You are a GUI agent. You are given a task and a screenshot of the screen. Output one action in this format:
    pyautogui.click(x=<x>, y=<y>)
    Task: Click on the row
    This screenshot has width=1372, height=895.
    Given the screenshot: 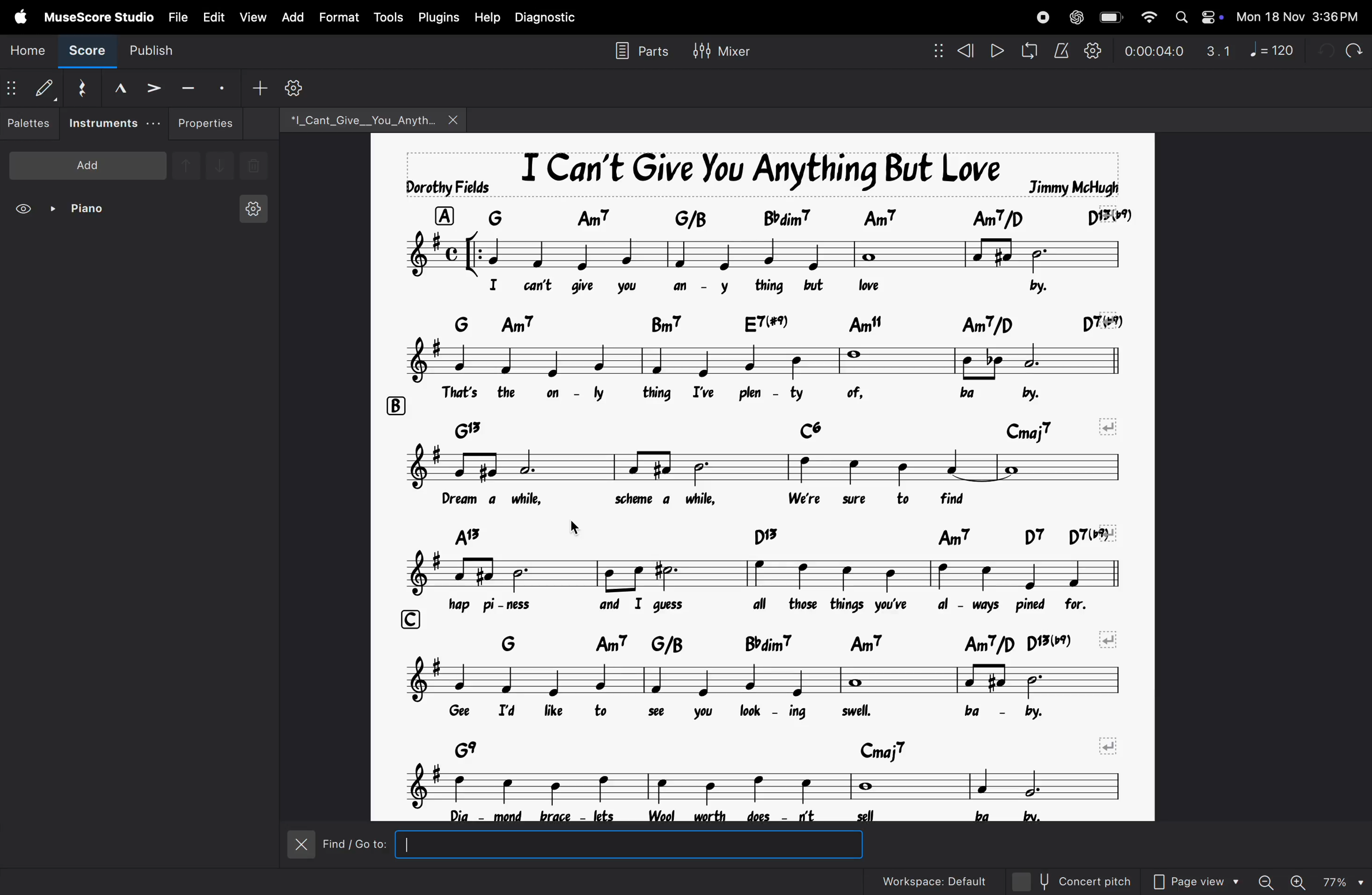 What is the action you would take?
    pyautogui.click(x=395, y=405)
    